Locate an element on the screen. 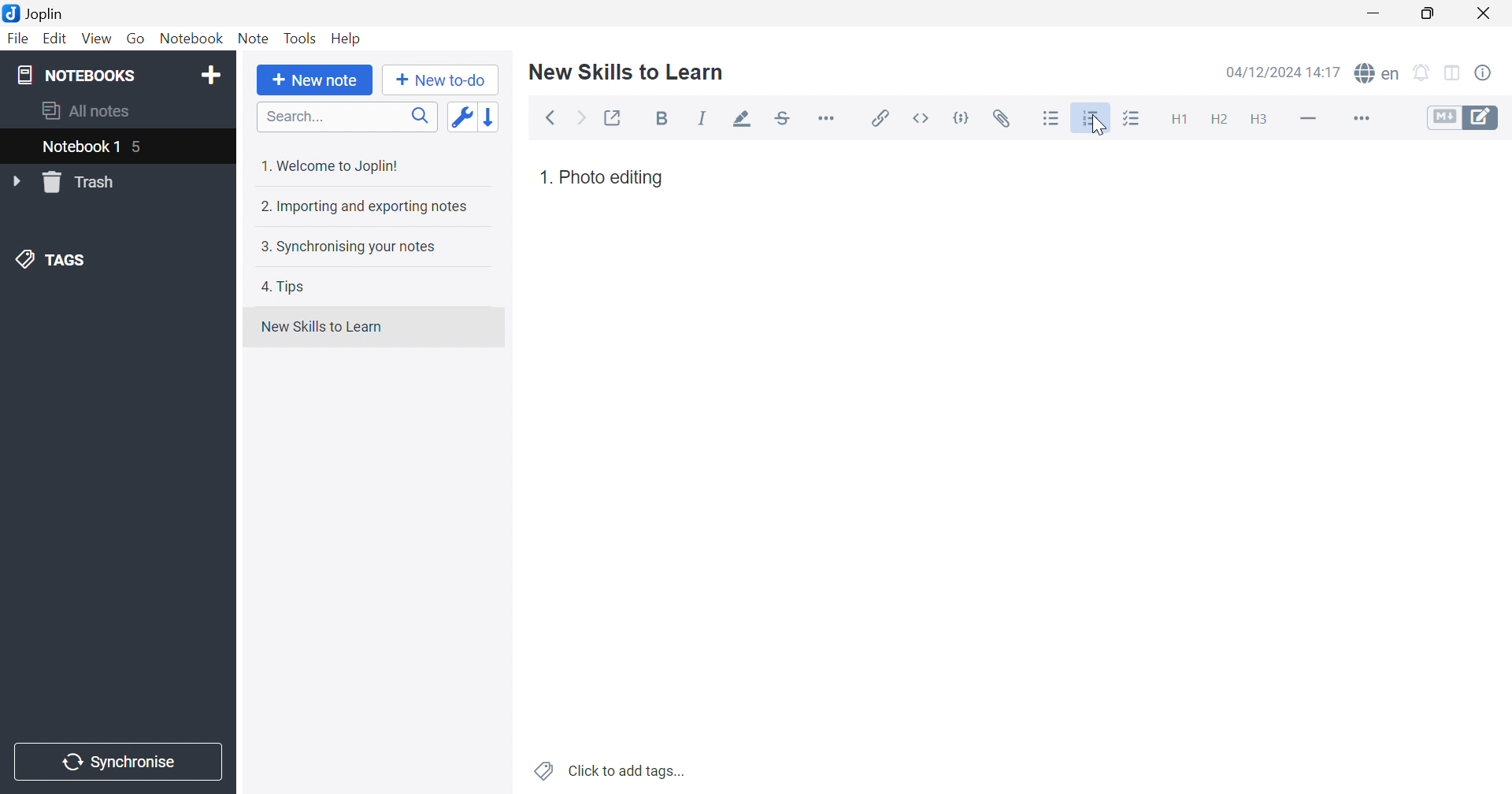  Italic is located at coordinates (702, 118).